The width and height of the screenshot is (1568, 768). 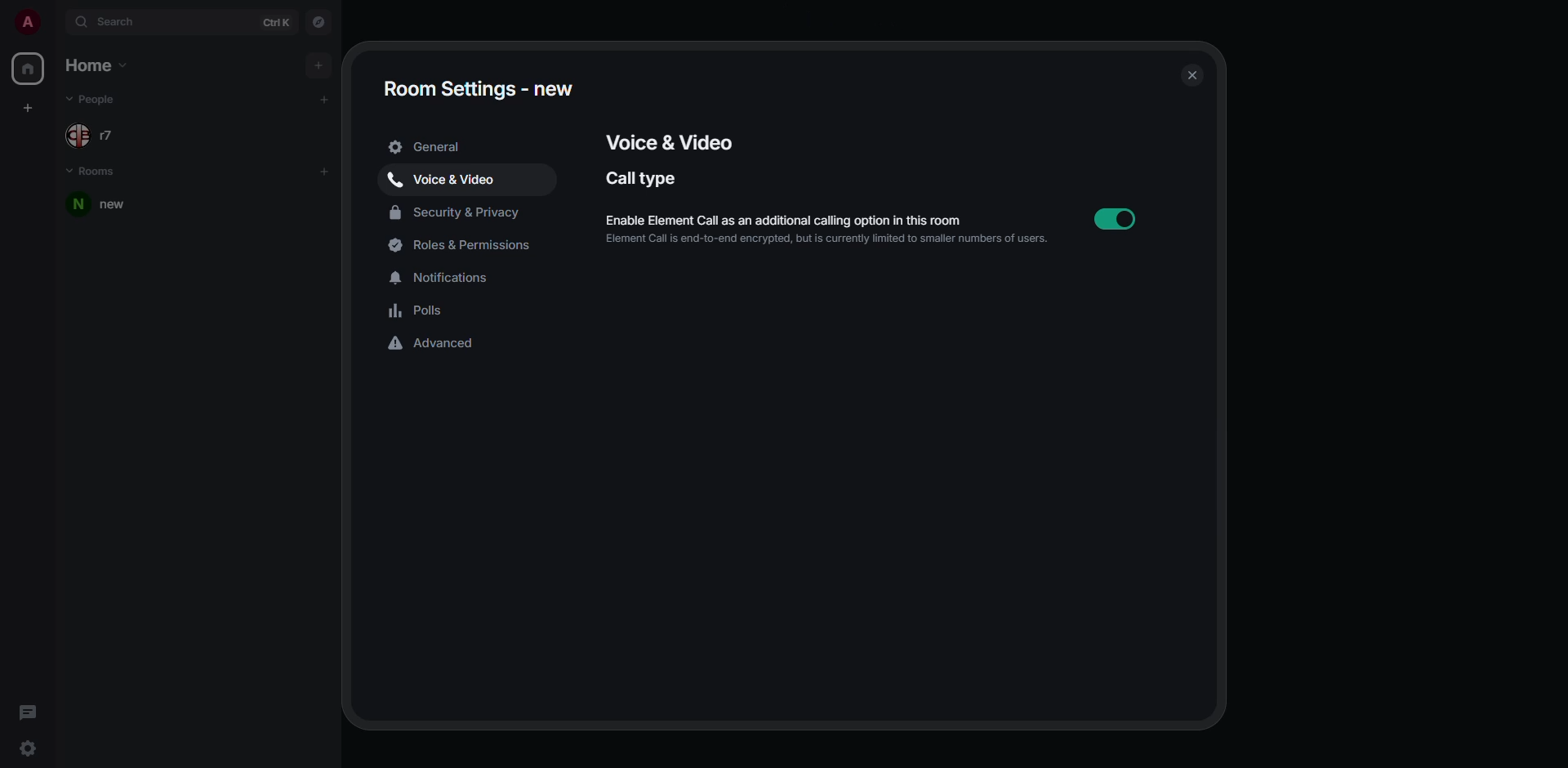 I want to click on home, so click(x=105, y=65).